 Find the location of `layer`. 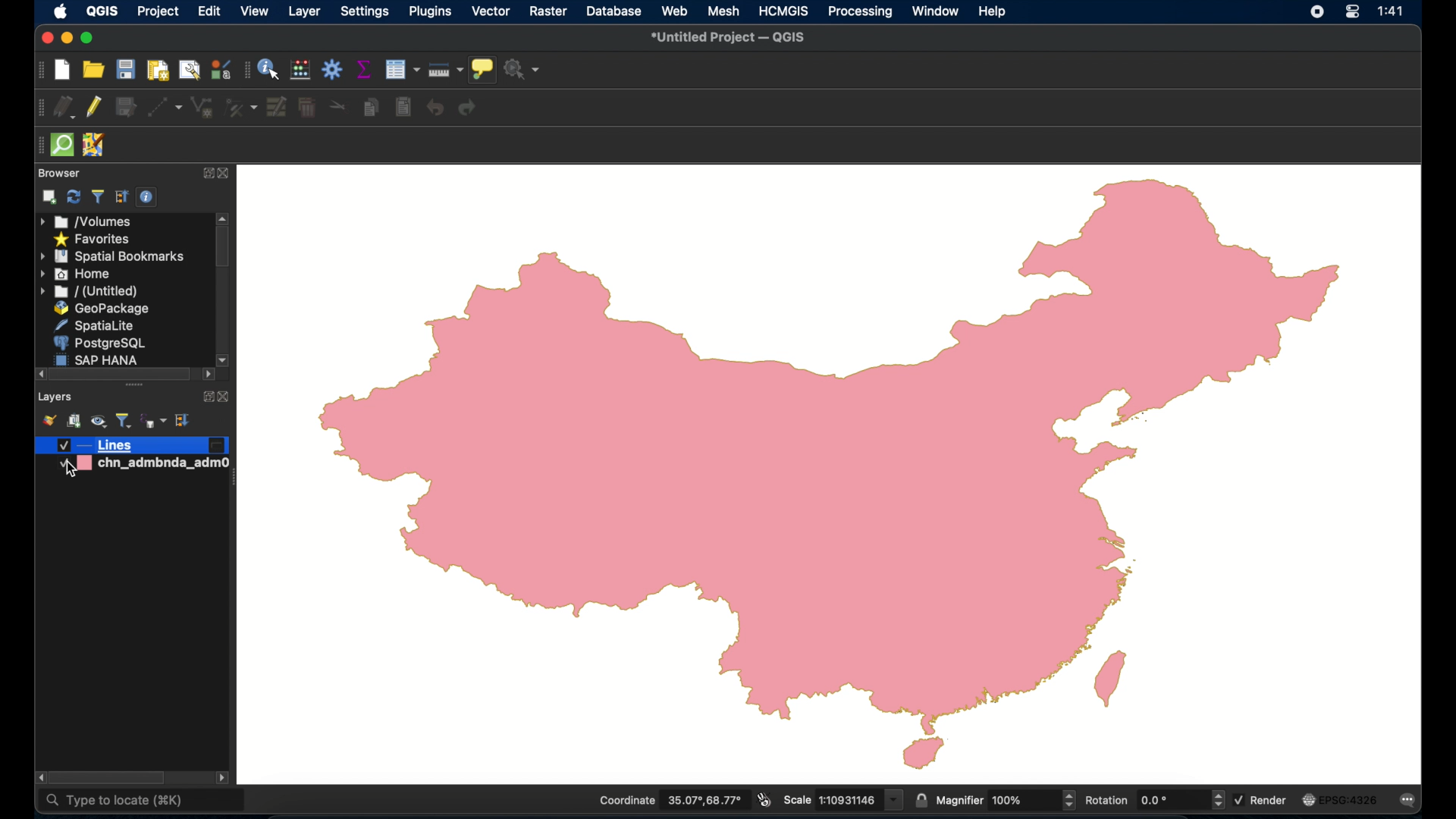

layer is located at coordinates (303, 12).